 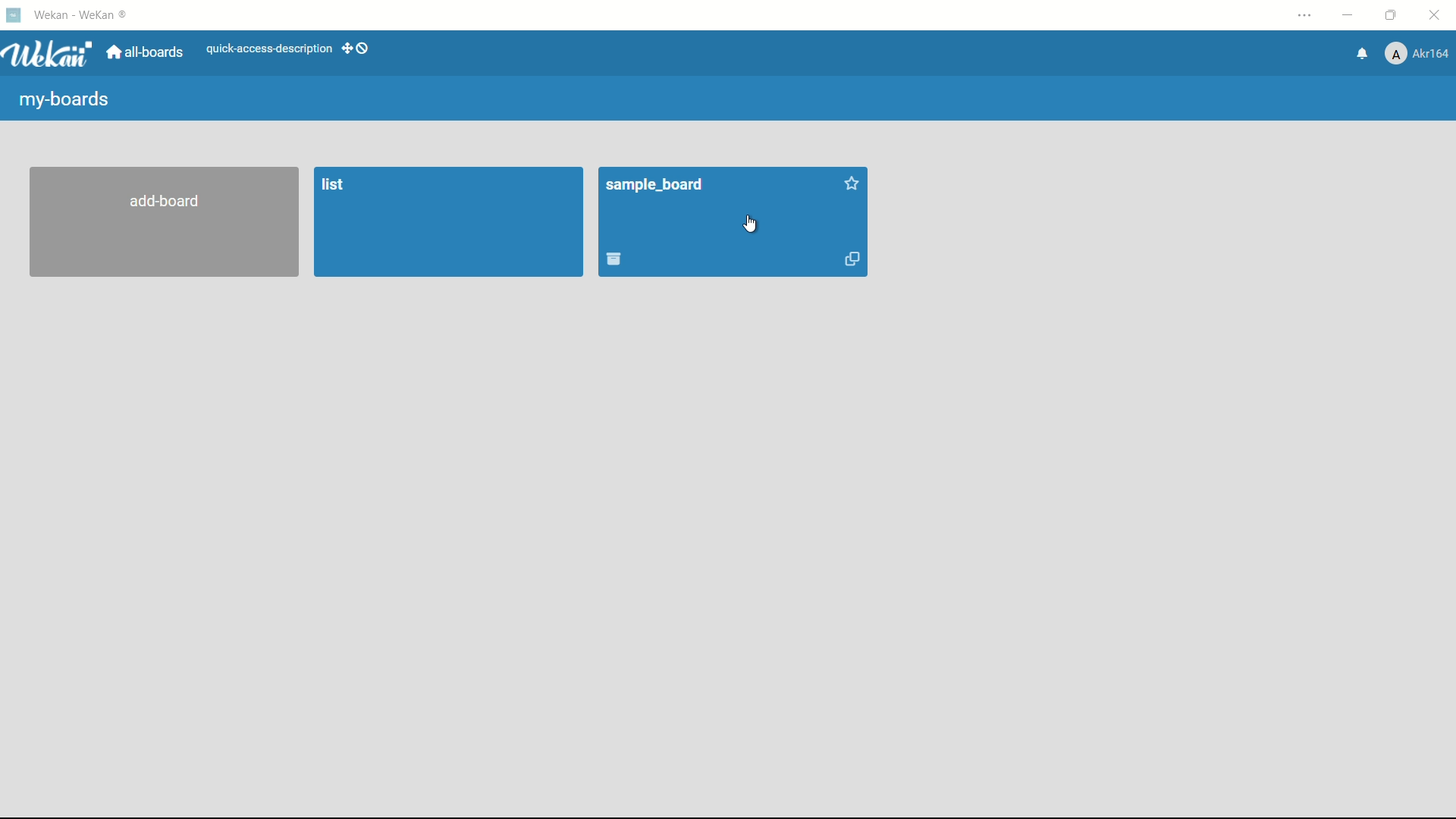 What do you see at coordinates (1394, 16) in the screenshot?
I see `maximize` at bounding box center [1394, 16].